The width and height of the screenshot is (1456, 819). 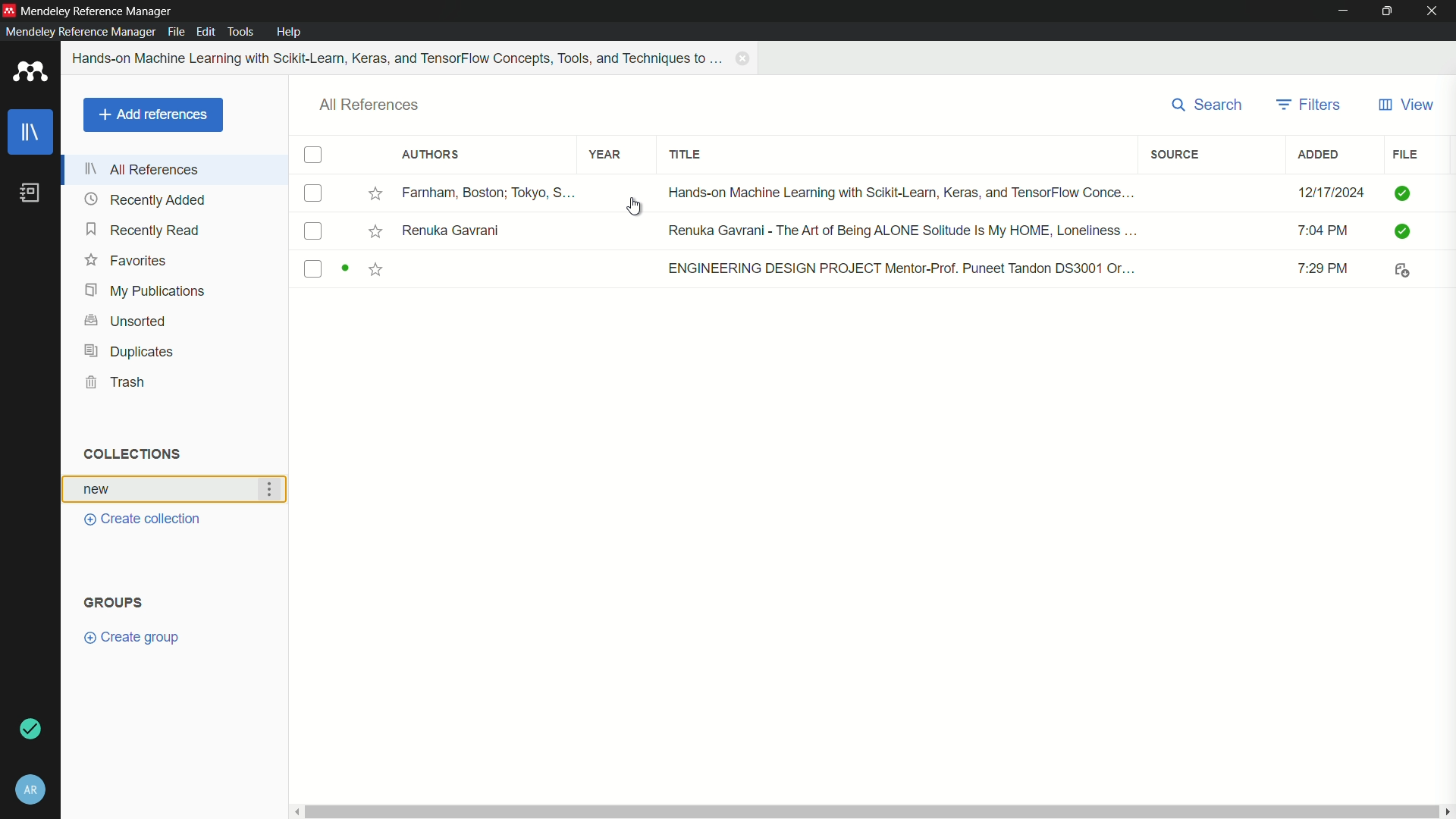 I want to click on filters, so click(x=1308, y=105).